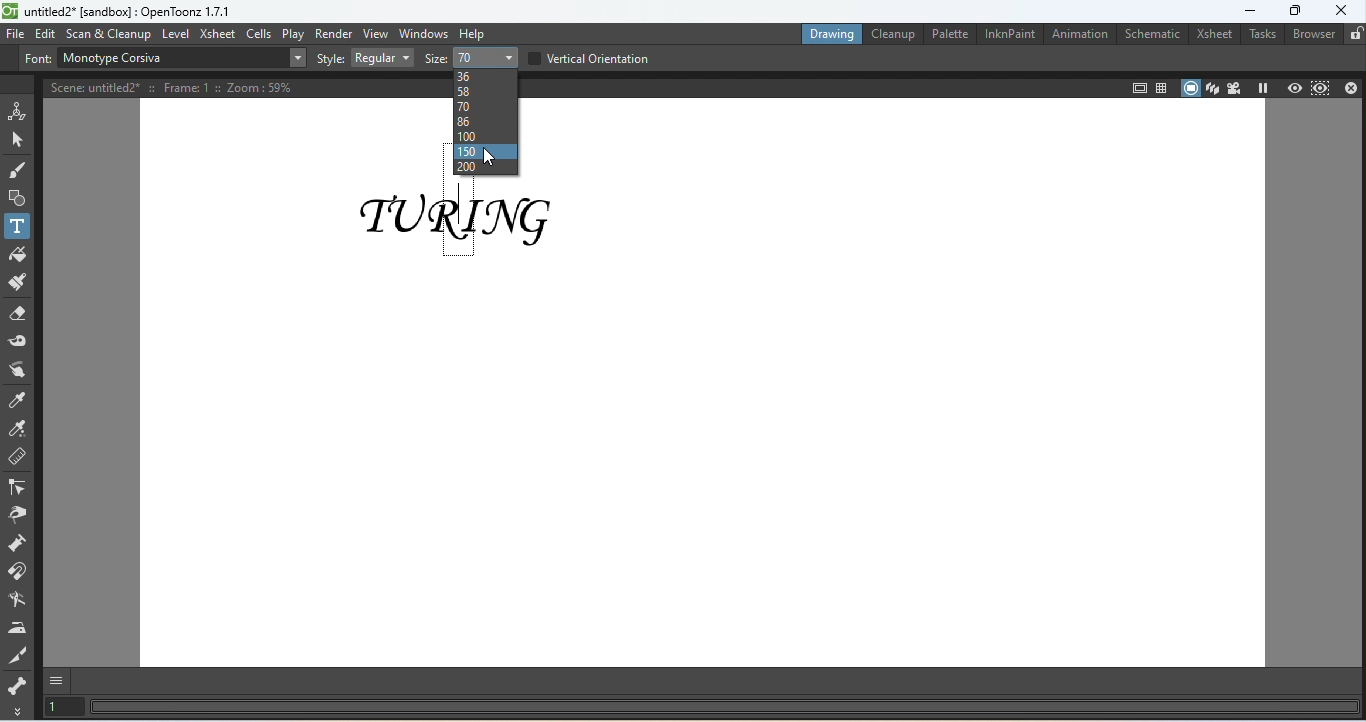 The height and width of the screenshot is (722, 1366). I want to click on Minimize, so click(1242, 11).